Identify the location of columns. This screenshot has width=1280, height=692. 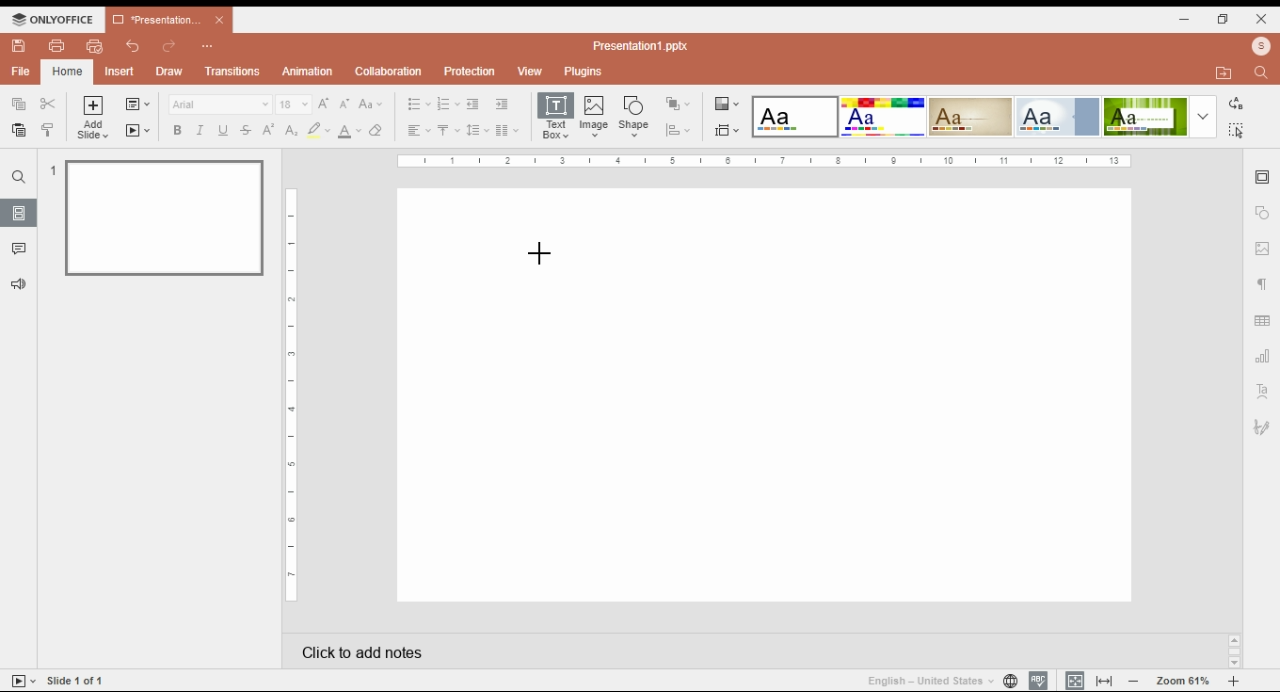
(509, 130).